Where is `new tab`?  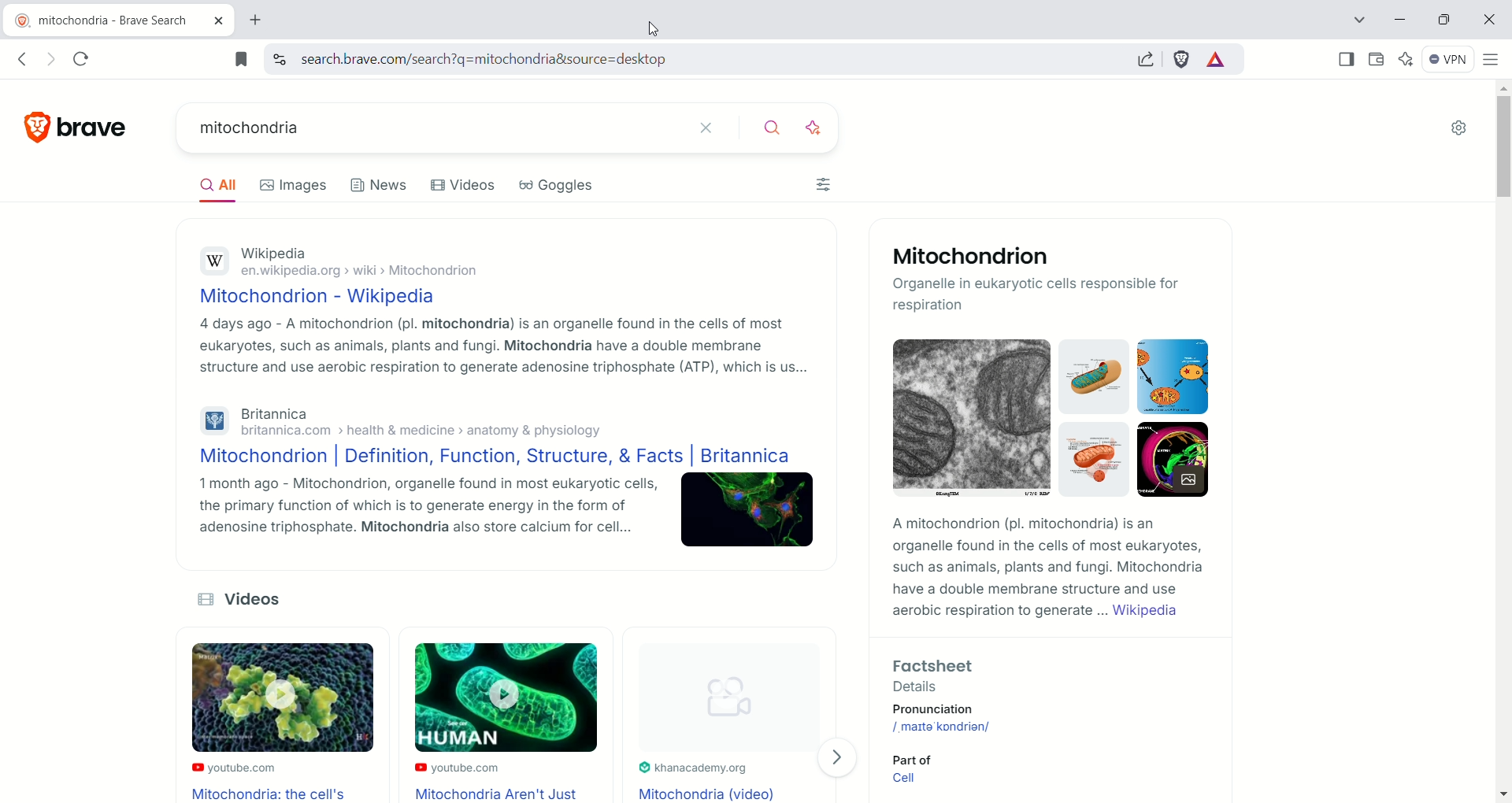
new tab is located at coordinates (258, 22).